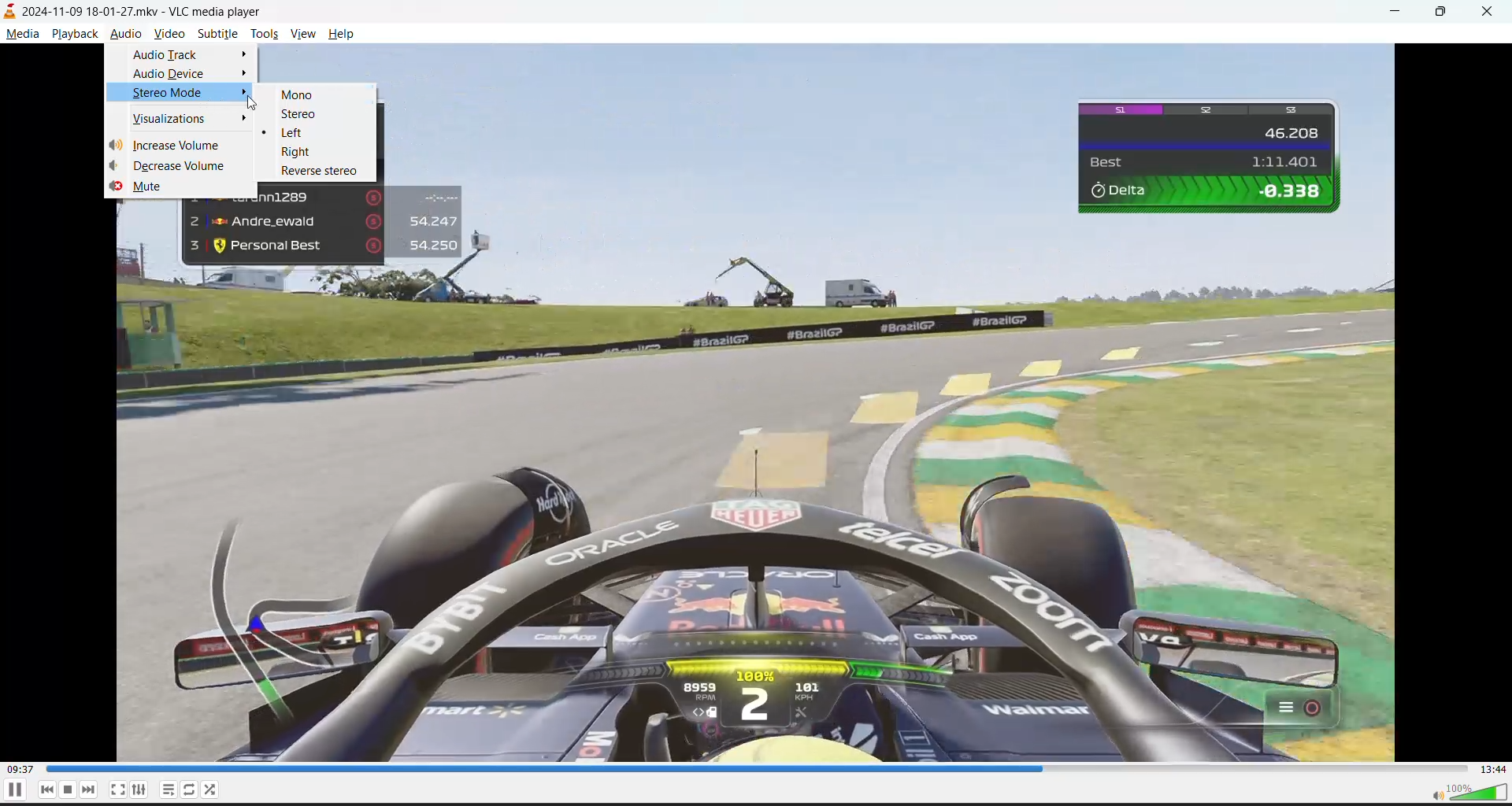 This screenshot has height=806, width=1512. What do you see at coordinates (184, 167) in the screenshot?
I see `decrease volume` at bounding box center [184, 167].